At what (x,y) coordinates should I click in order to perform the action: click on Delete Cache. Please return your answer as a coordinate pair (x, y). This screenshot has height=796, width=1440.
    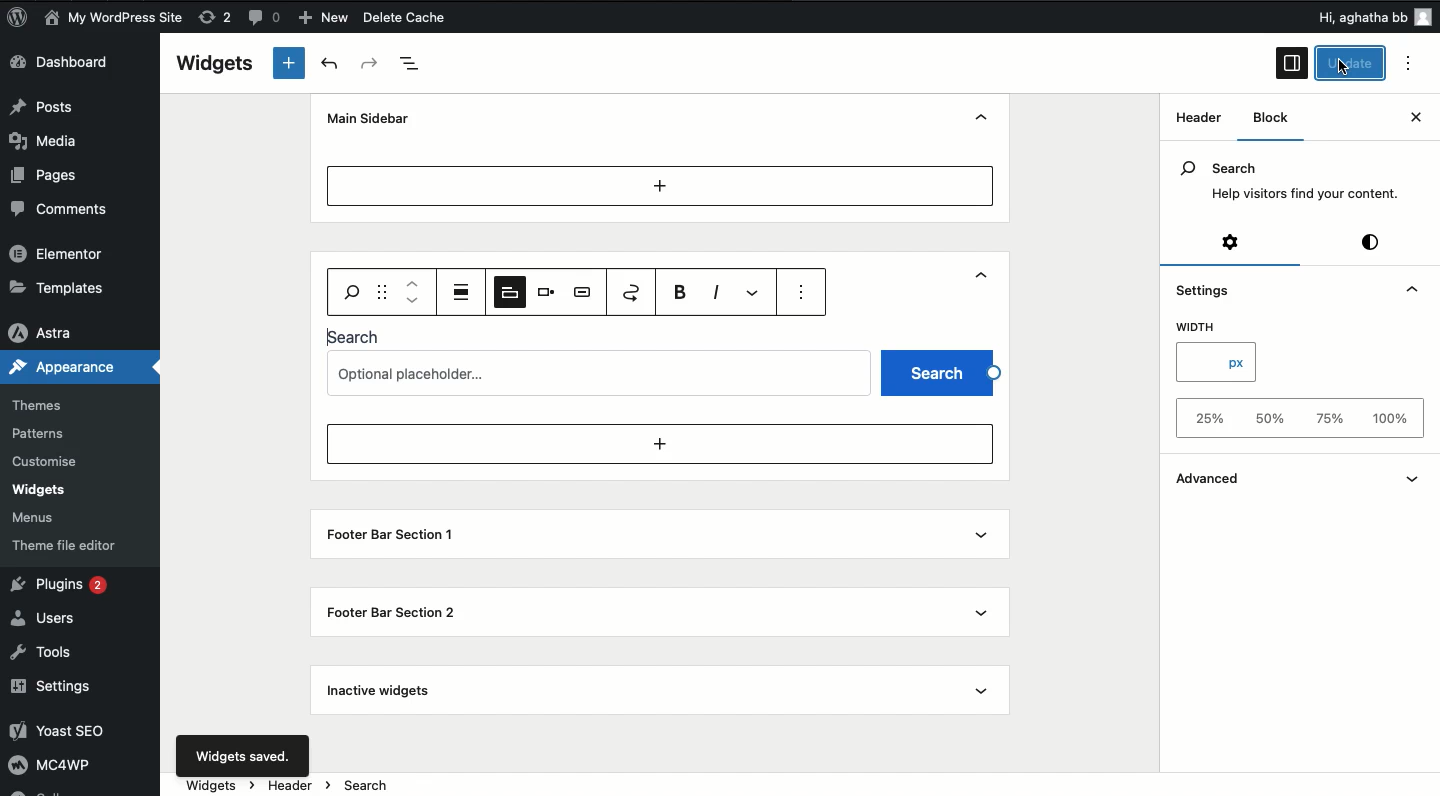
    Looking at the image, I should click on (441, 19).